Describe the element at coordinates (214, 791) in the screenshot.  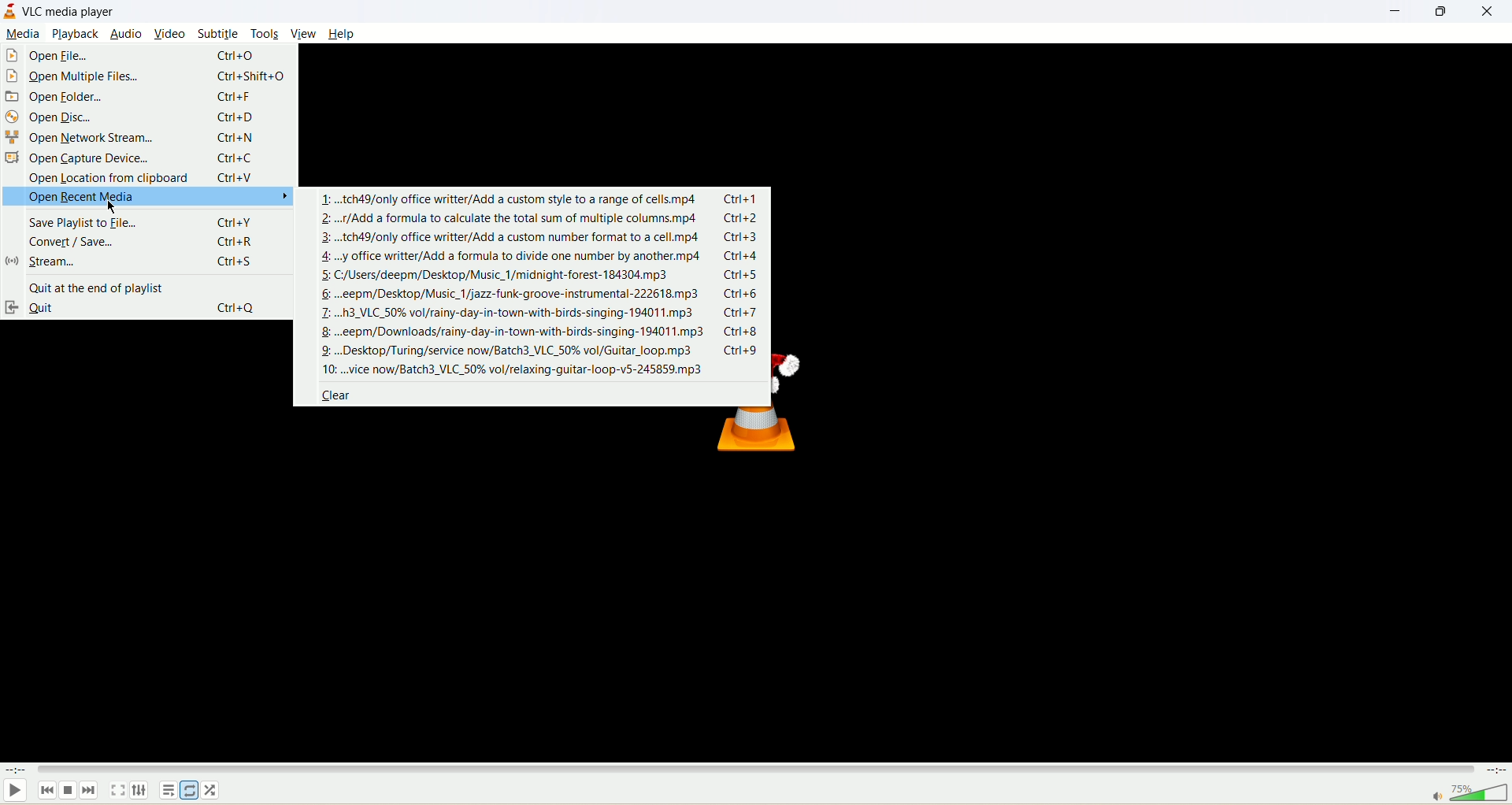
I see `shuffle` at that location.